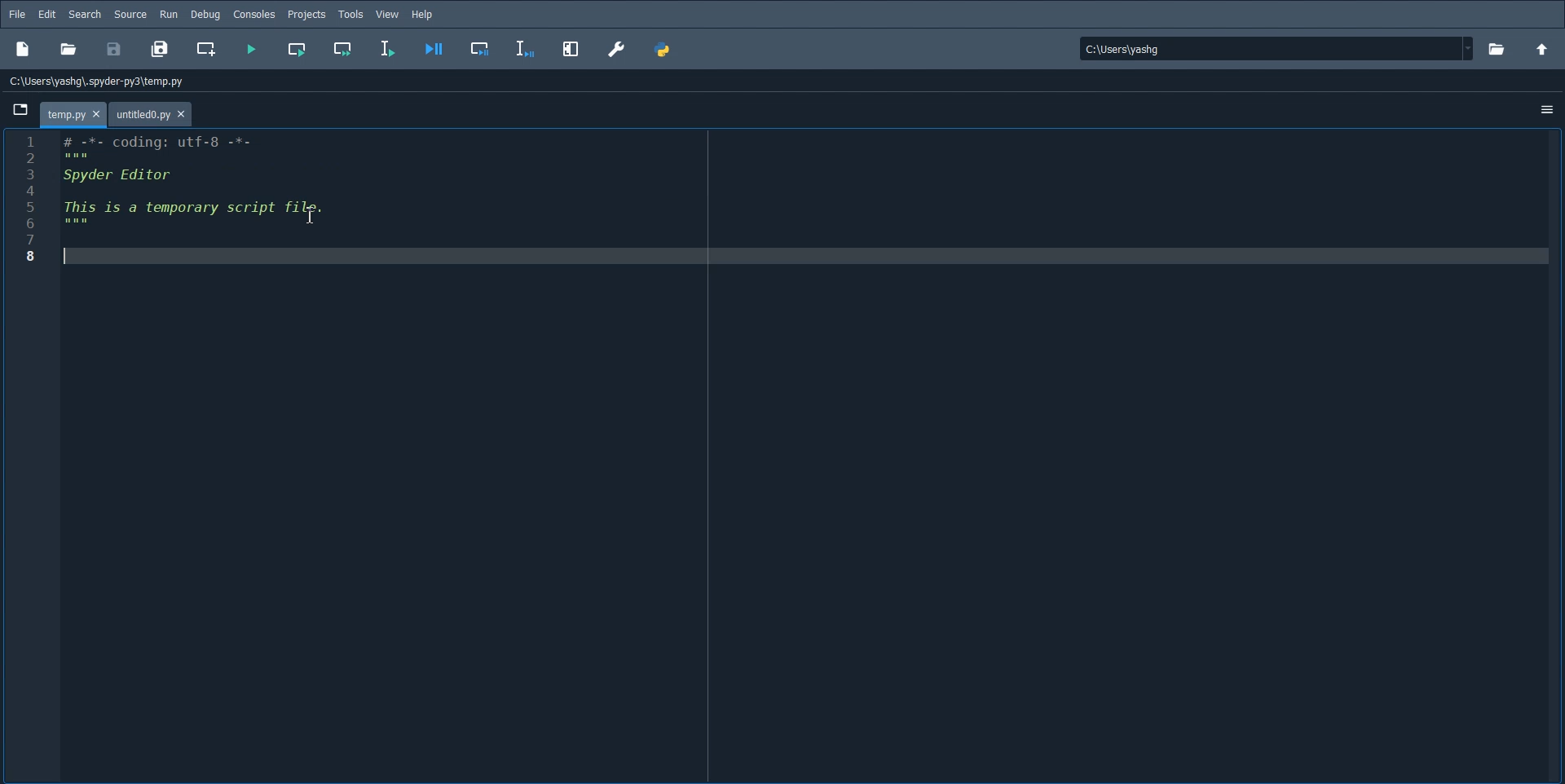 The image size is (1565, 784). I want to click on File, so click(73, 113).